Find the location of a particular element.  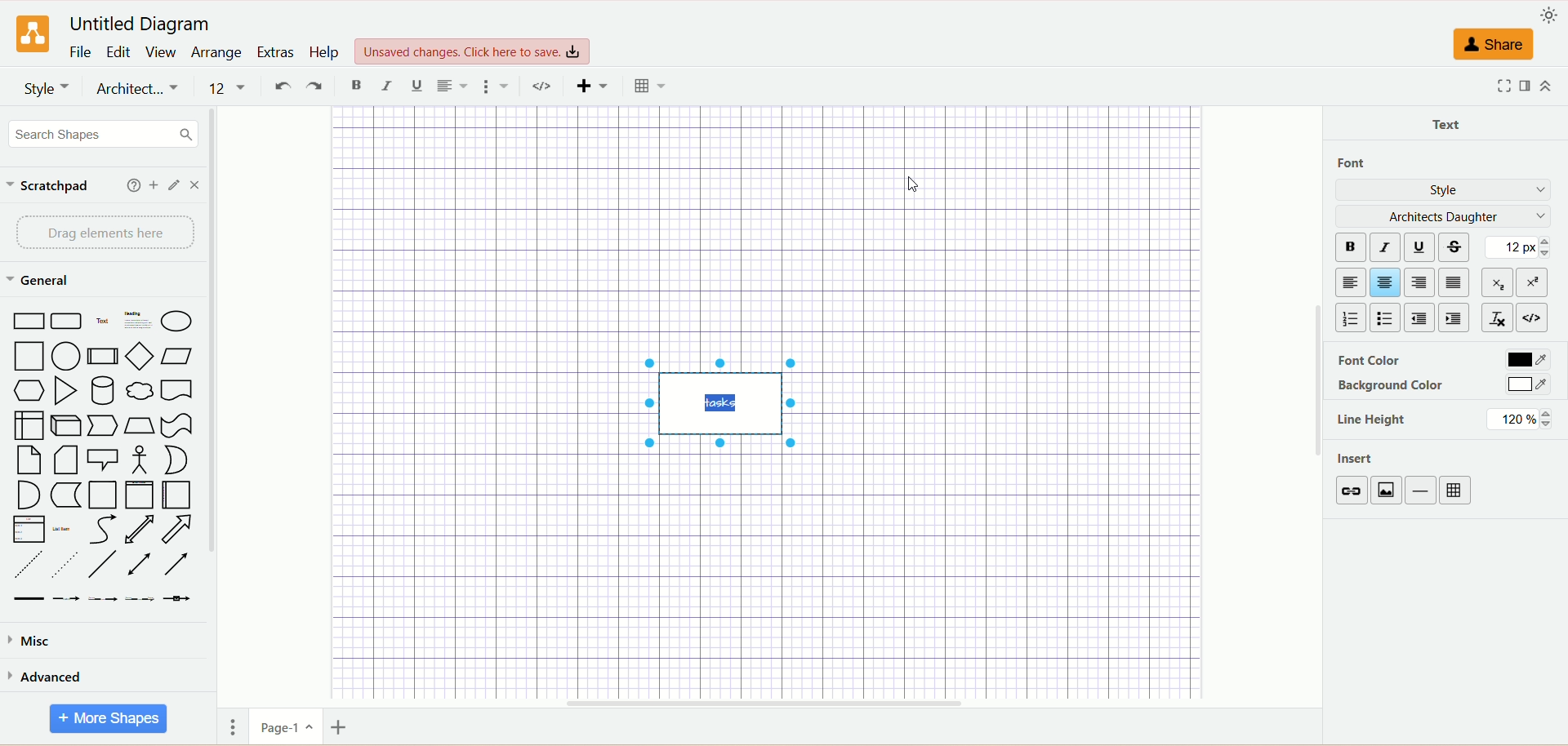

color is located at coordinates (1528, 384).